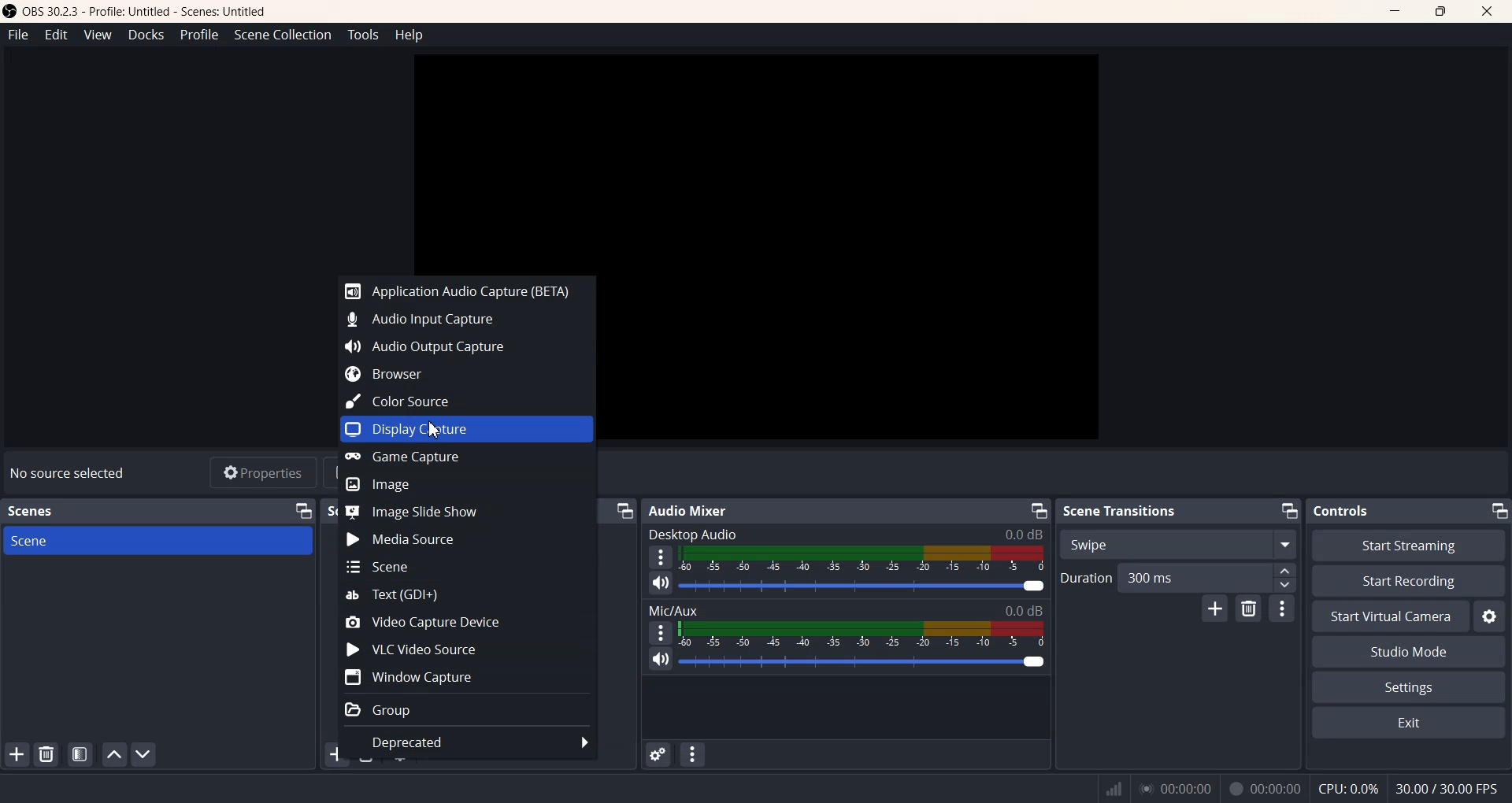 The width and height of the screenshot is (1512, 803). What do you see at coordinates (465, 568) in the screenshot?
I see `Scene` at bounding box center [465, 568].